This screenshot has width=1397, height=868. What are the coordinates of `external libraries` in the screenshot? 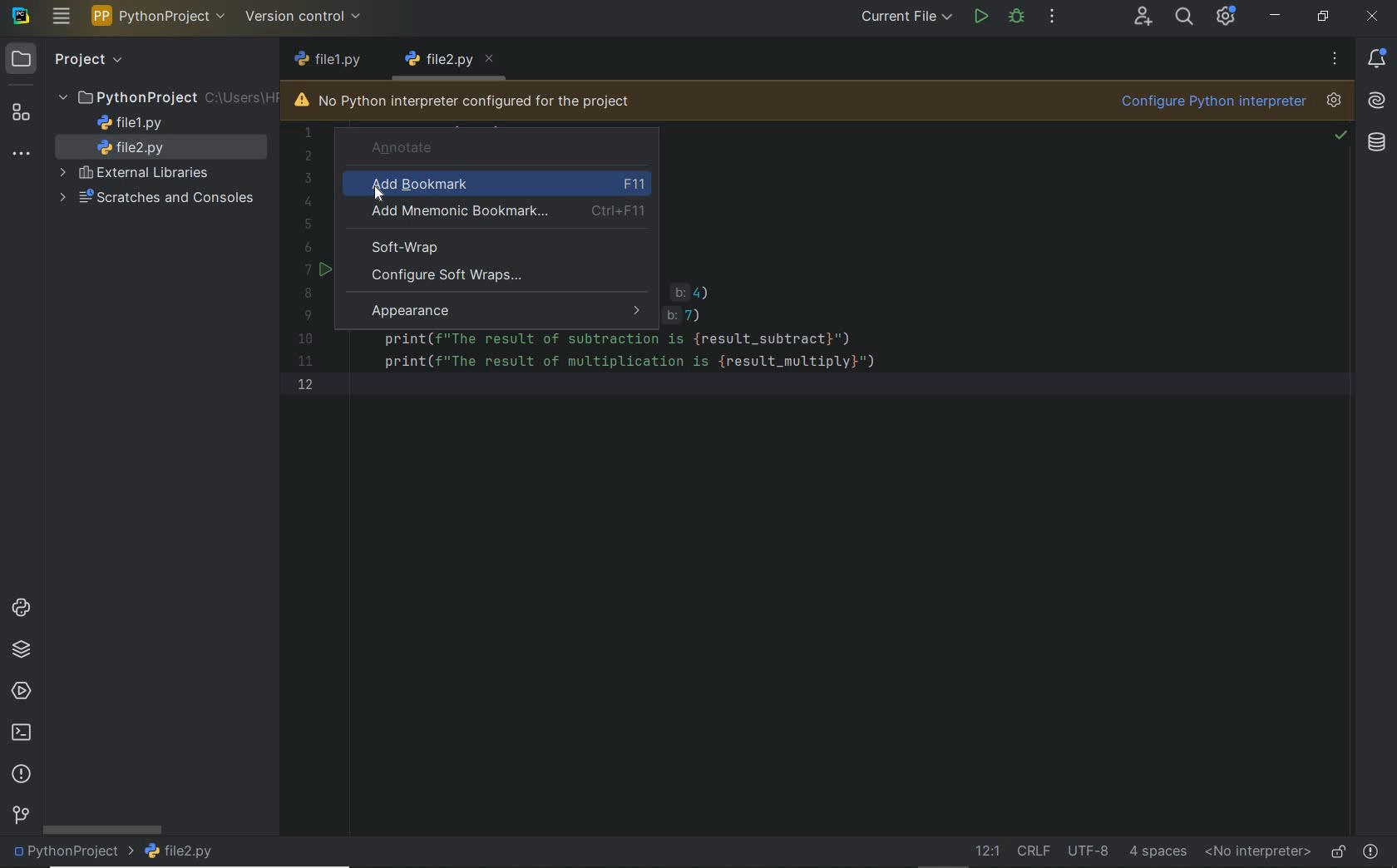 It's located at (137, 174).